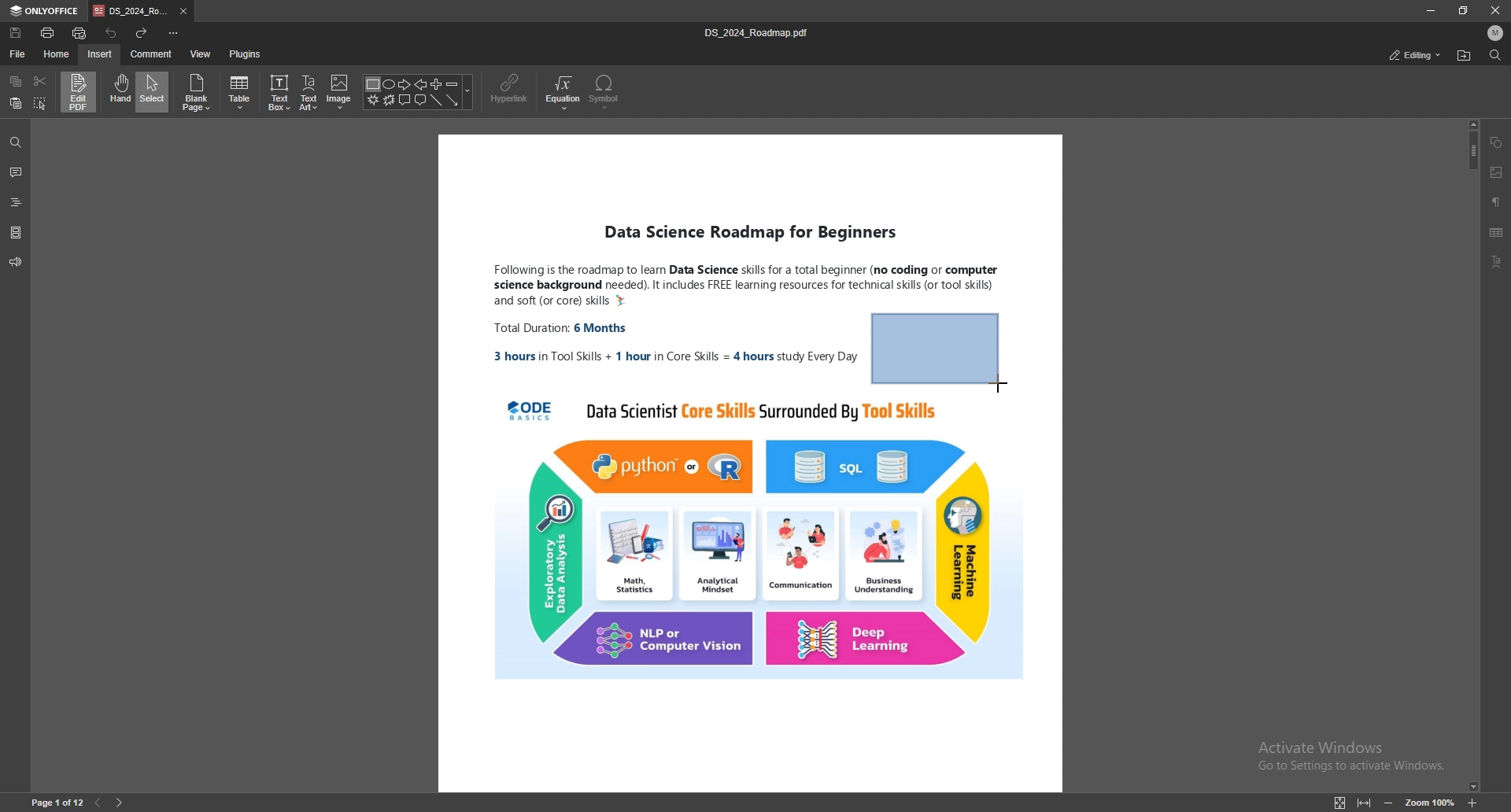  What do you see at coordinates (15, 142) in the screenshot?
I see `find` at bounding box center [15, 142].